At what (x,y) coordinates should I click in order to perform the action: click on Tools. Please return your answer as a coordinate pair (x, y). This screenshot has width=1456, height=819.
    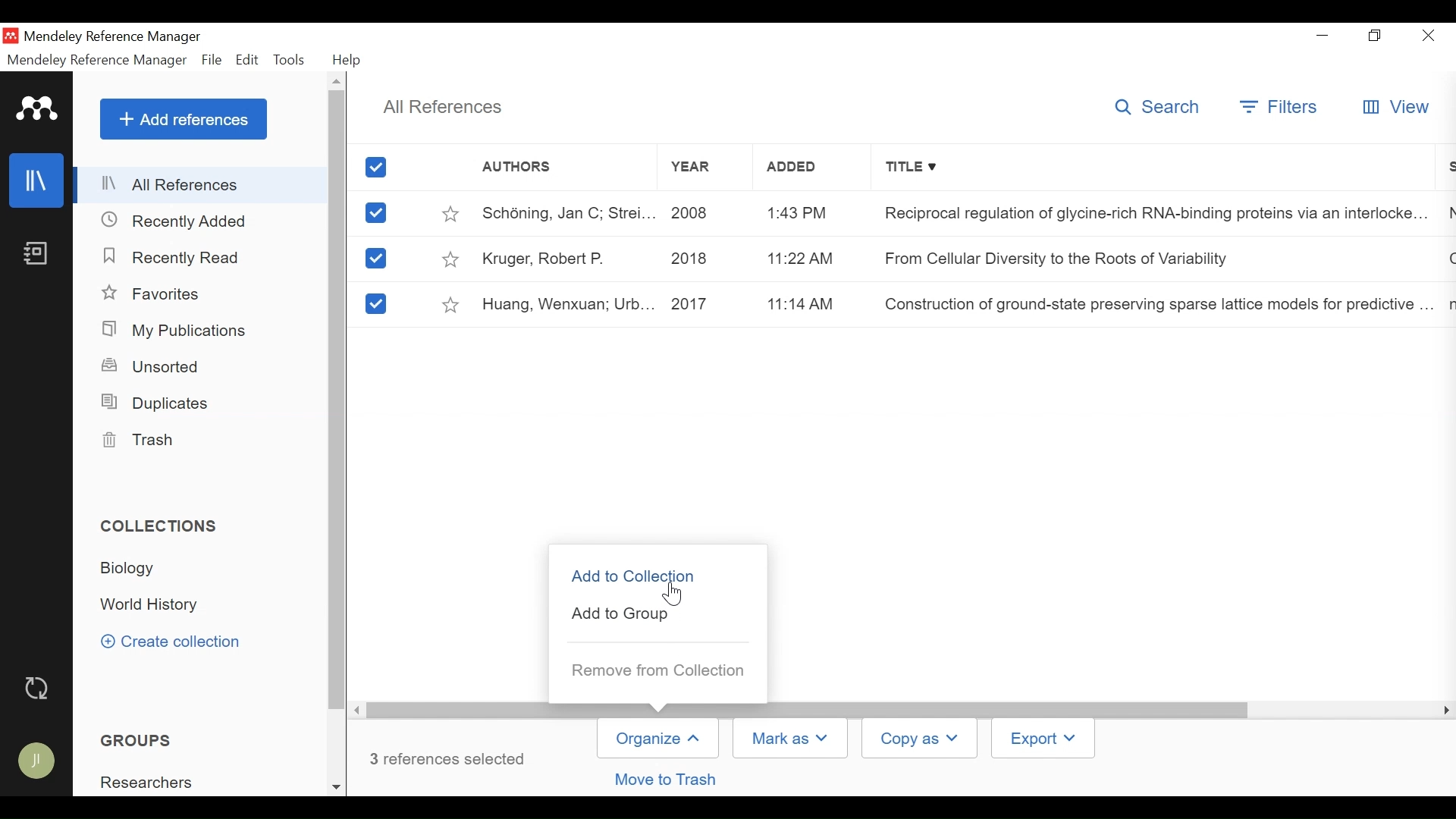
    Looking at the image, I should click on (290, 60).